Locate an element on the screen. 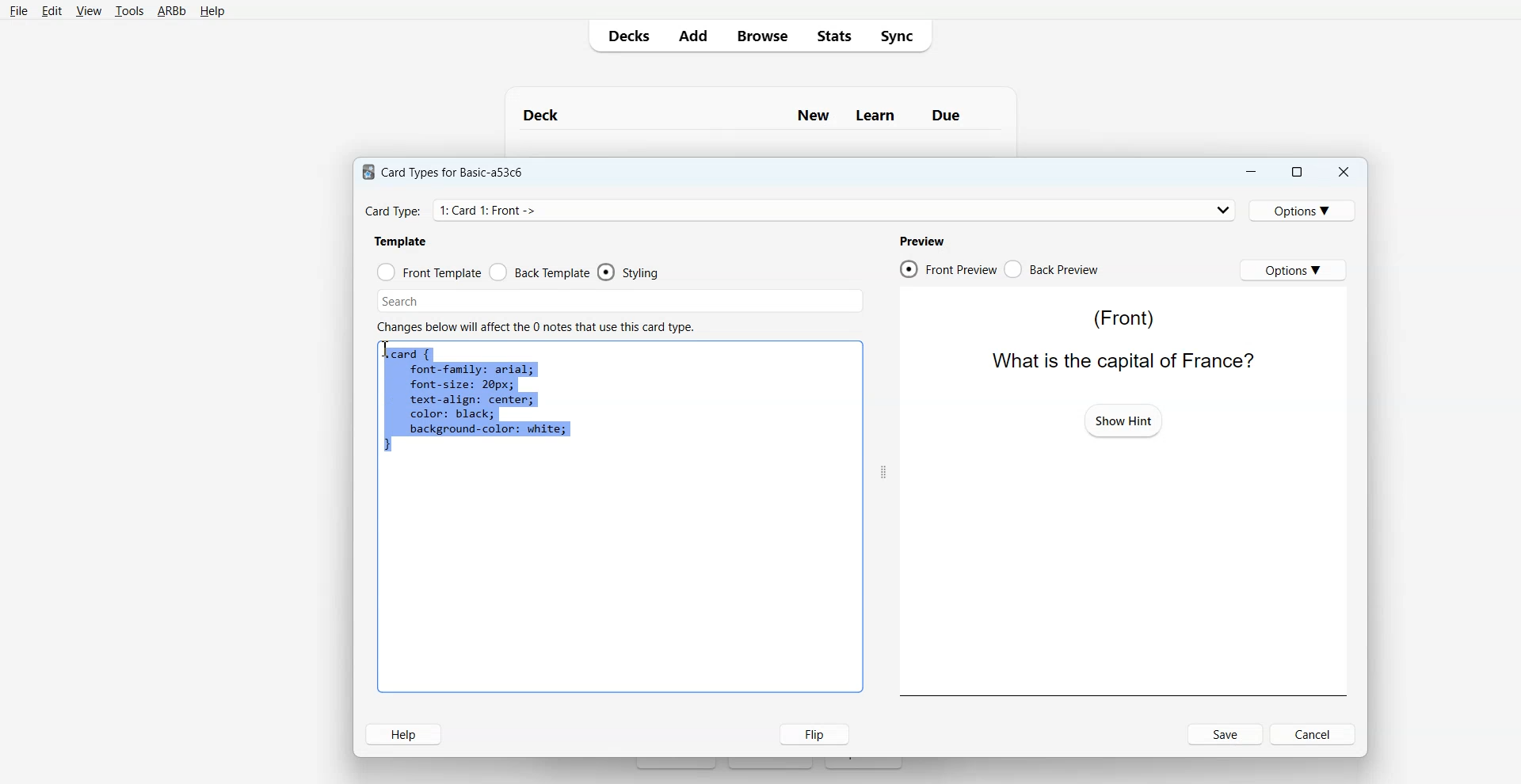 This screenshot has height=784, width=1521. File is located at coordinates (18, 10).